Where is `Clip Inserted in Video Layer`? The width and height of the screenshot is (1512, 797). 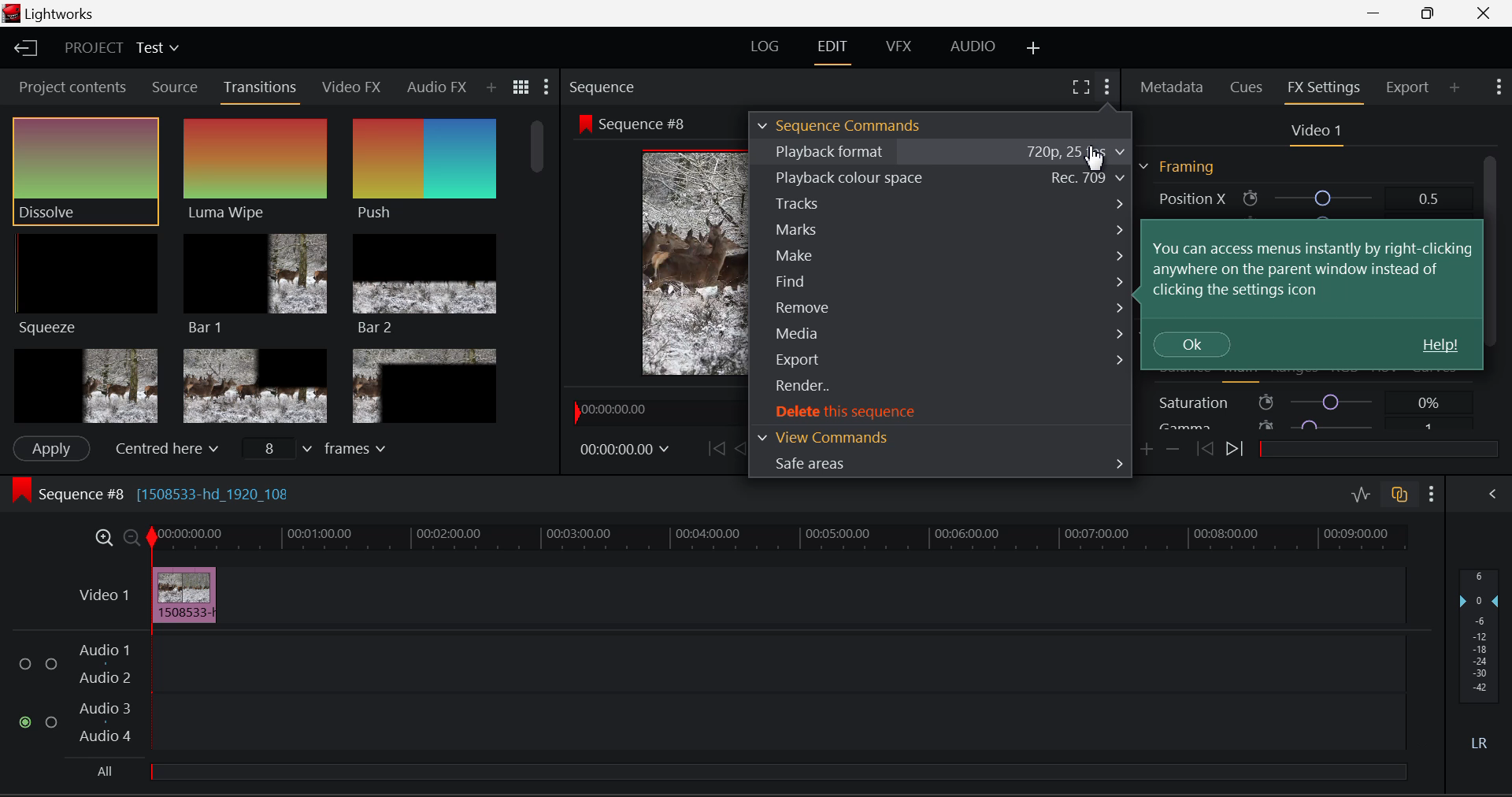
Clip Inserted in Video Layer is located at coordinates (738, 594).